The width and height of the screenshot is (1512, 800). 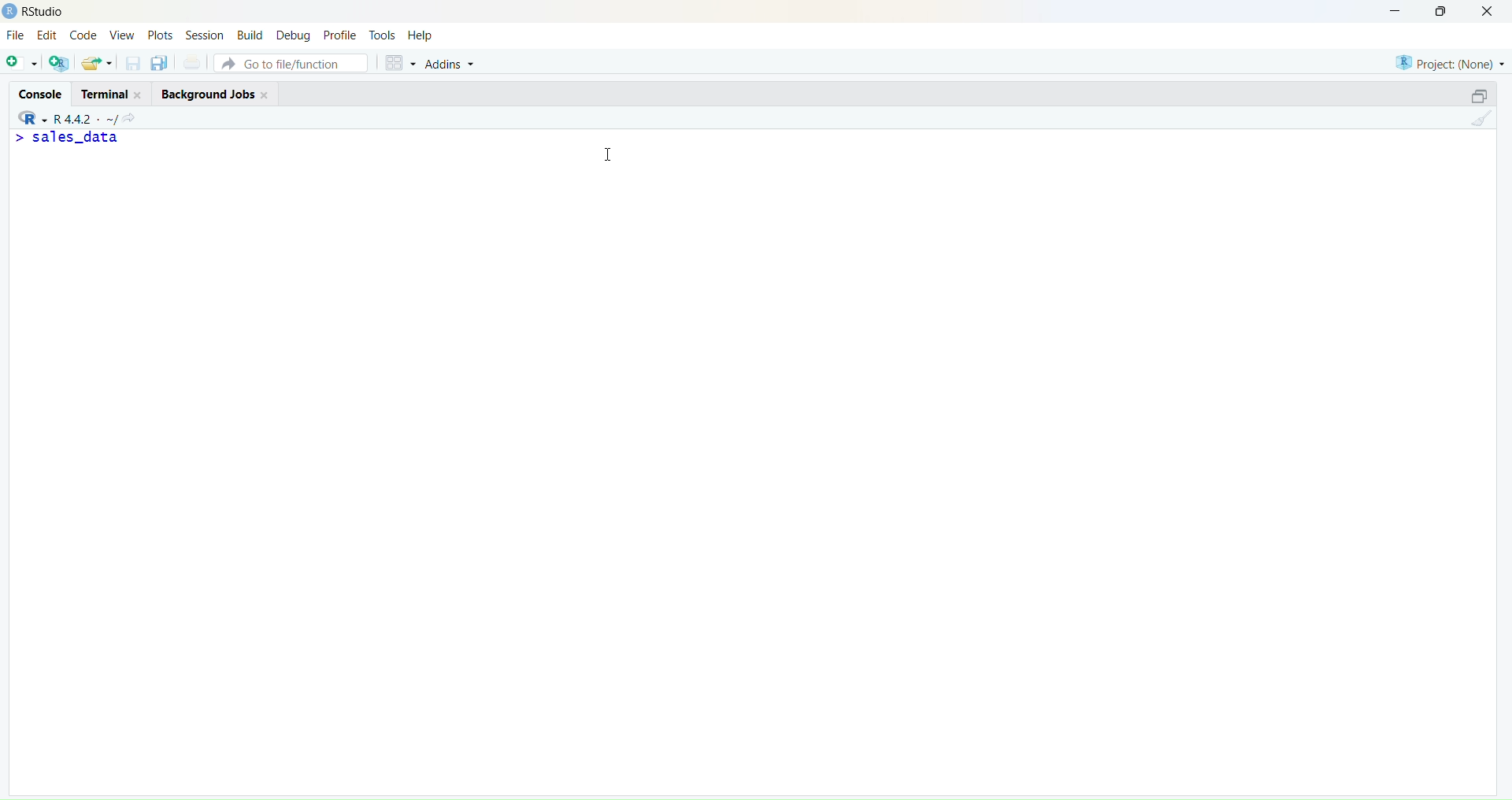 What do you see at coordinates (290, 62) in the screenshot?
I see `Go to file/function` at bounding box center [290, 62].